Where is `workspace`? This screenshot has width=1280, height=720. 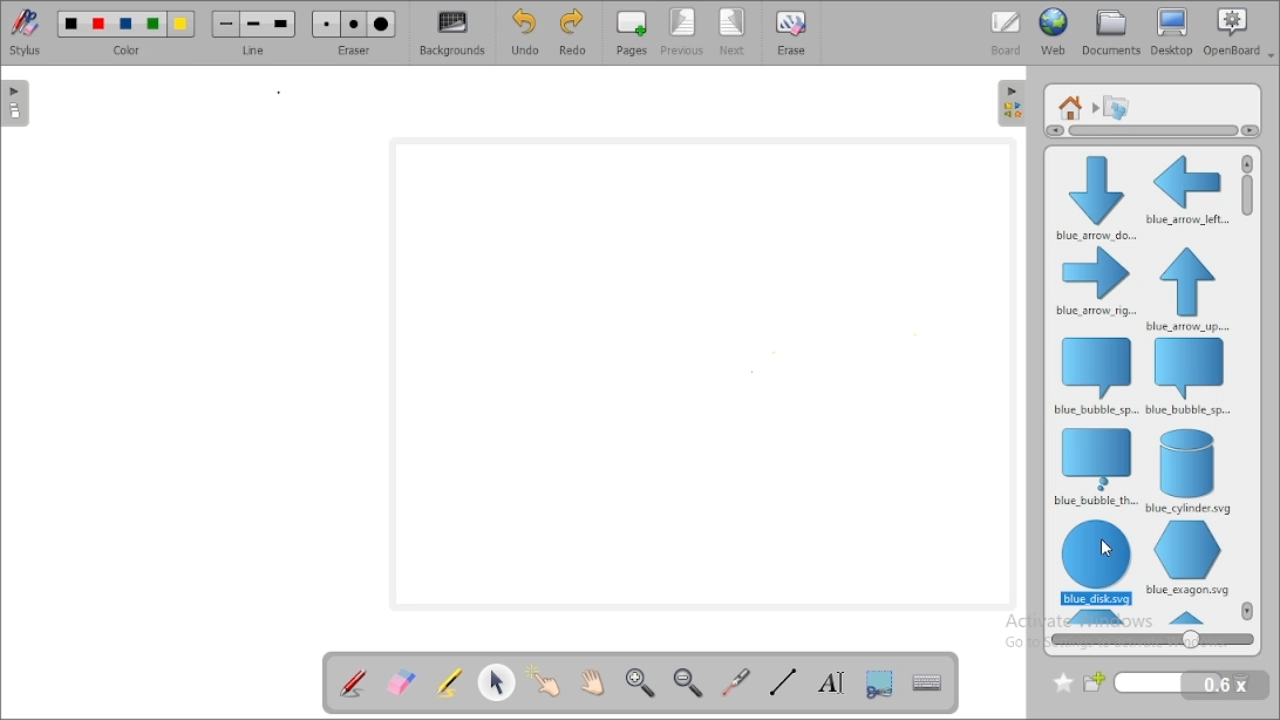 workspace is located at coordinates (702, 373).